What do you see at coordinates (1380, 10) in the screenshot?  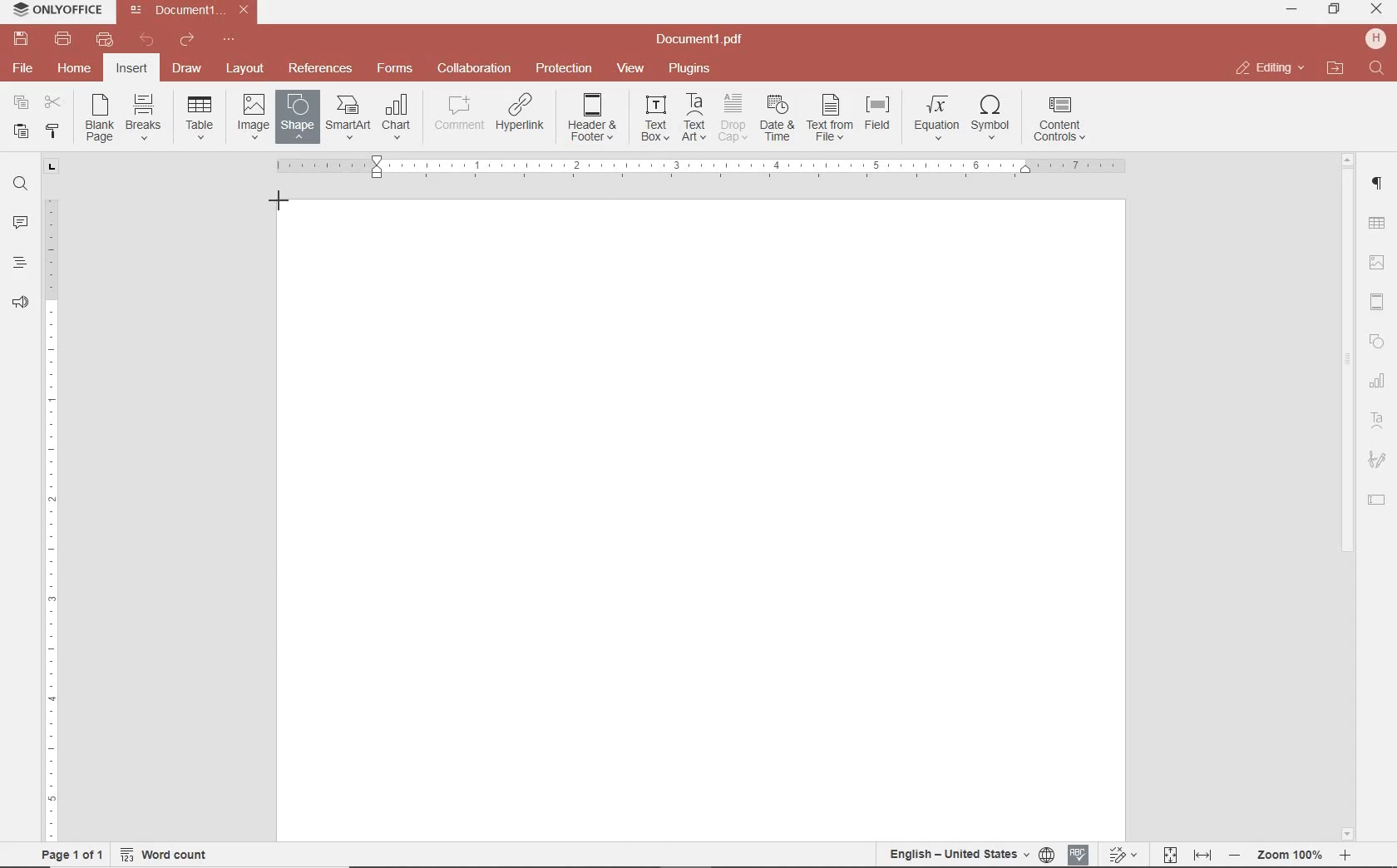 I see `minimize ,restore ,close` at bounding box center [1380, 10].